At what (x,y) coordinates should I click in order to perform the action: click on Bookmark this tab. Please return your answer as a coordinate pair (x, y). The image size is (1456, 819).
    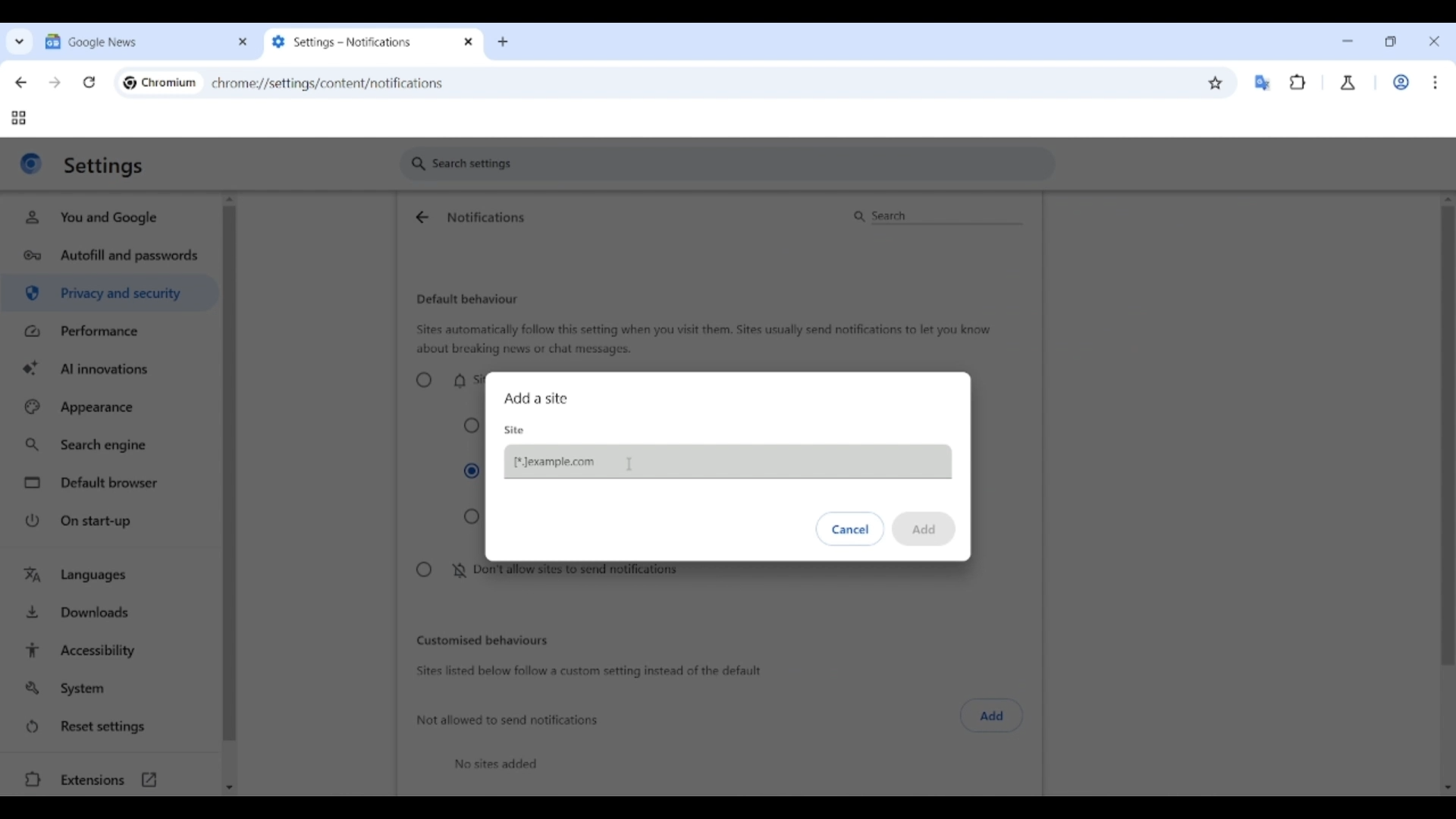
    Looking at the image, I should click on (1216, 83).